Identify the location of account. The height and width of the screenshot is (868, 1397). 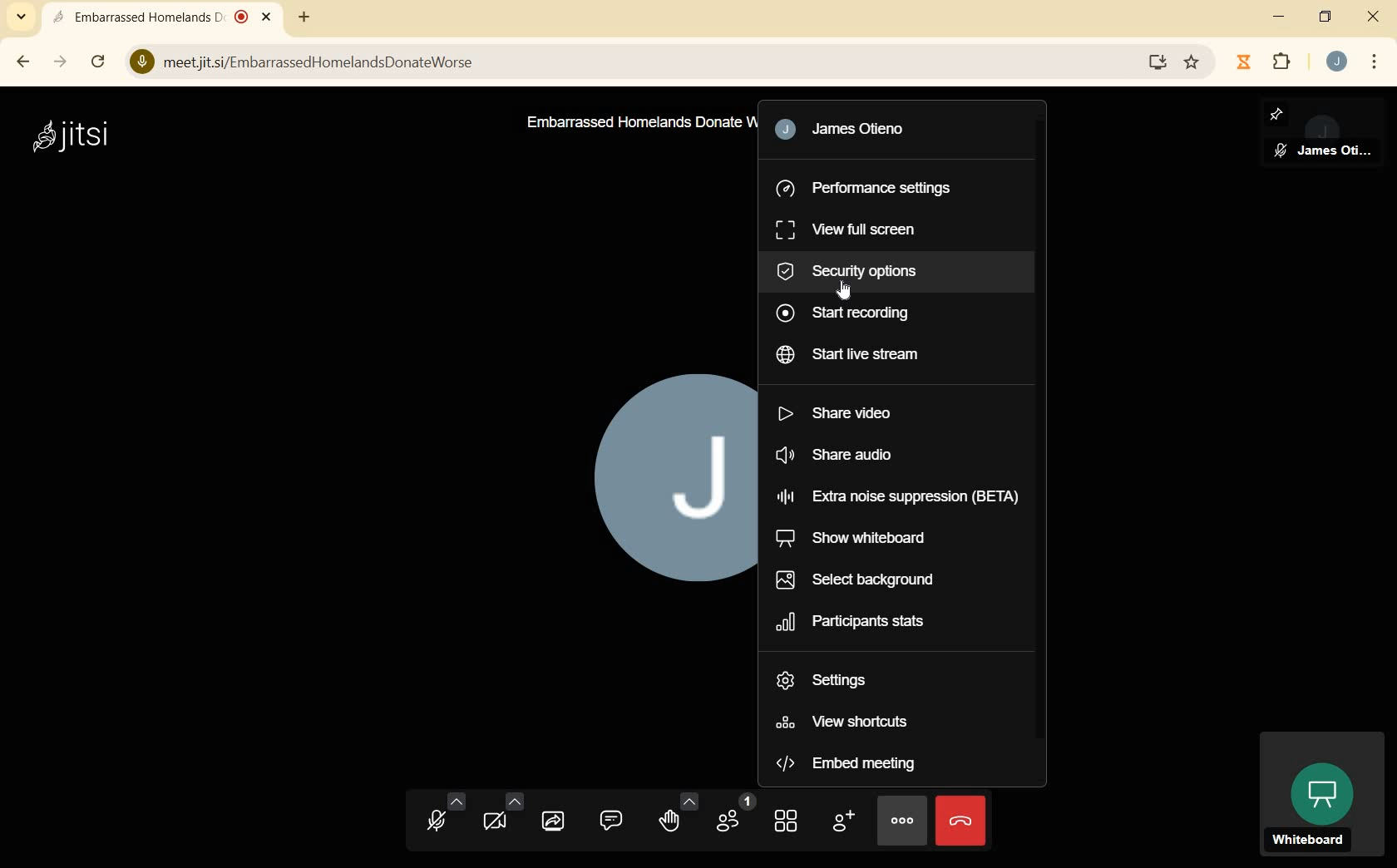
(1337, 61).